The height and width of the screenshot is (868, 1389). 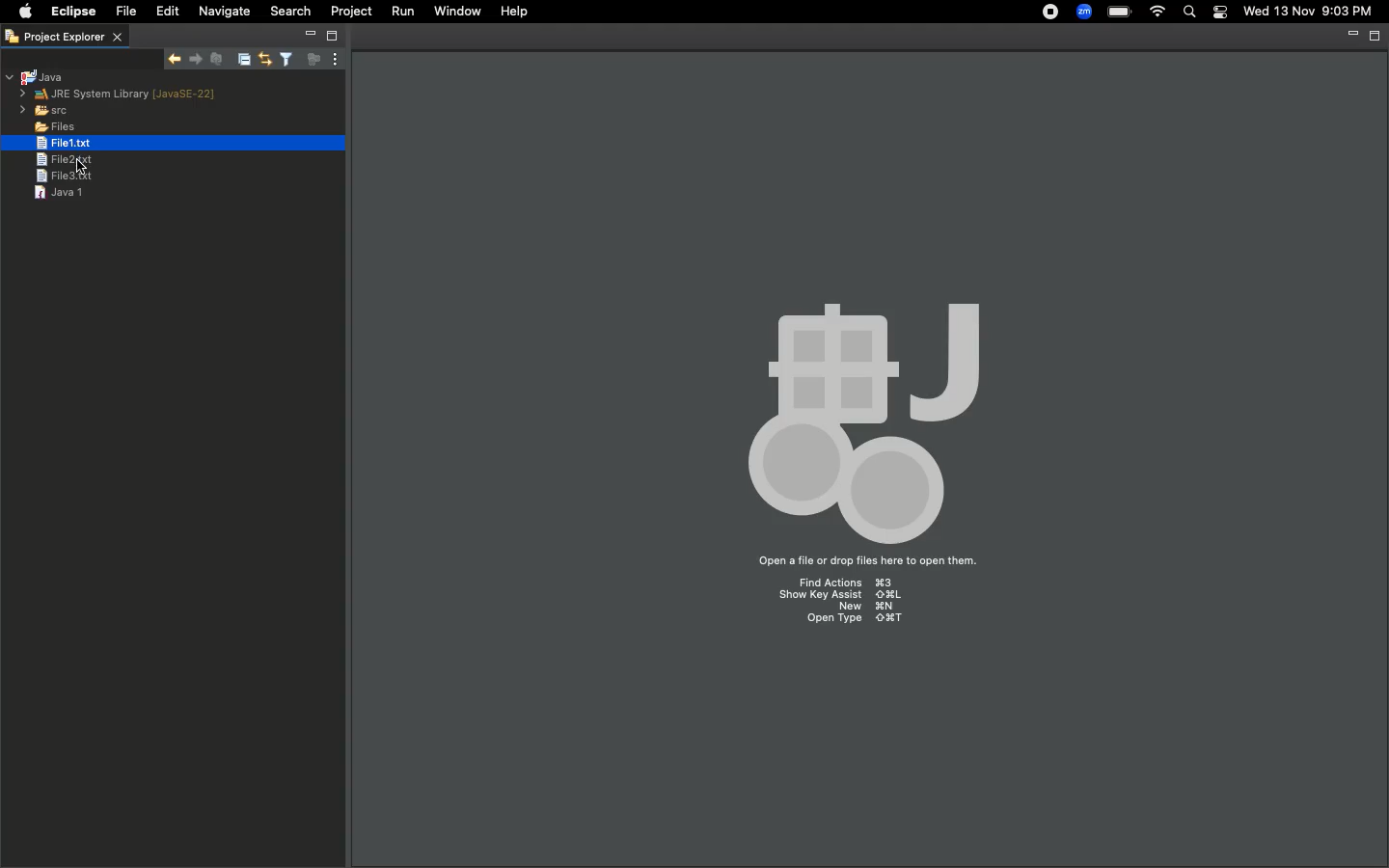 What do you see at coordinates (459, 11) in the screenshot?
I see `Window` at bounding box center [459, 11].